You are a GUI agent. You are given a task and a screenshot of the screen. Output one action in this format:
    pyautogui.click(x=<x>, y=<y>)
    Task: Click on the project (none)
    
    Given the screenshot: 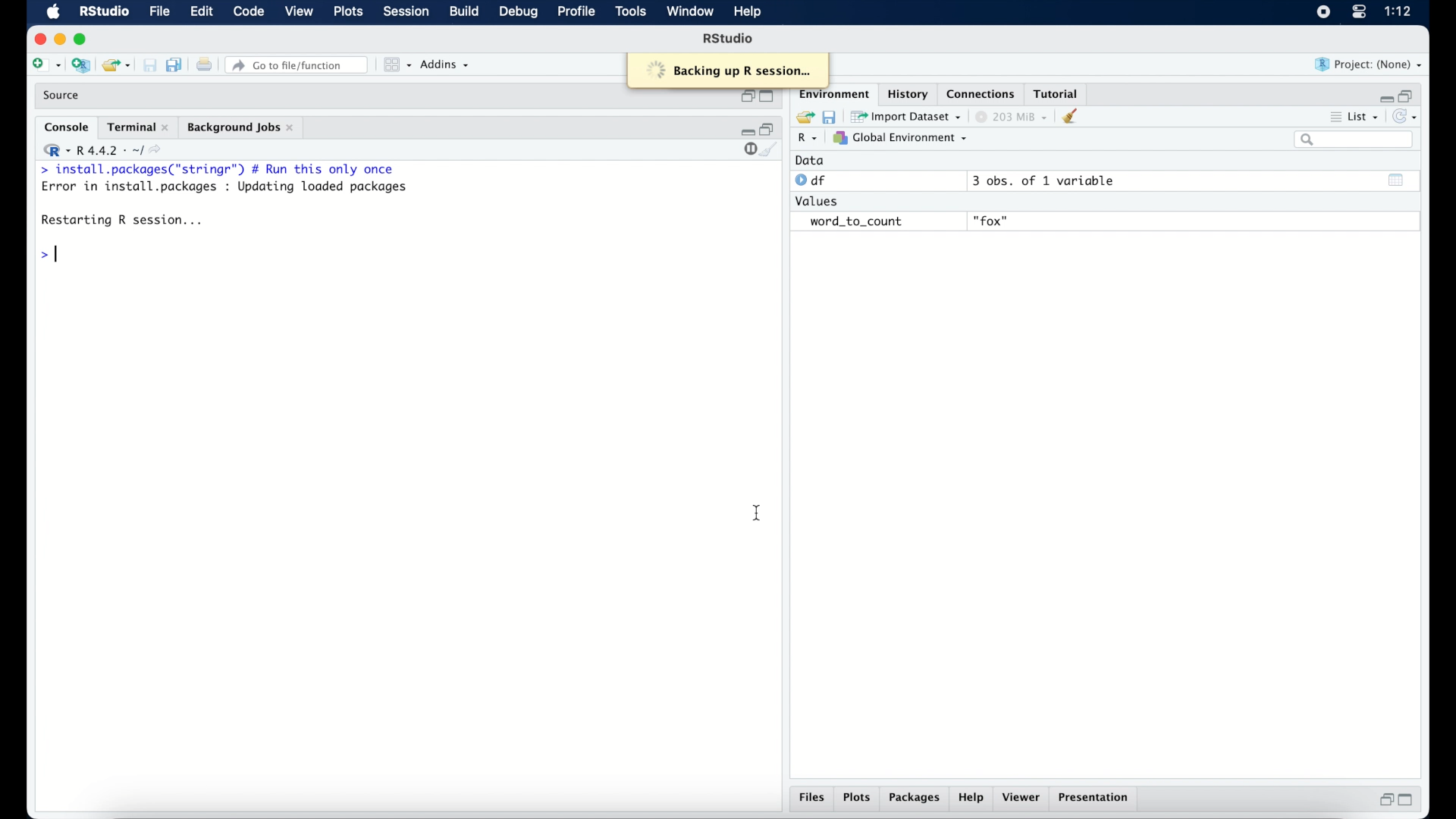 What is the action you would take?
    pyautogui.click(x=1369, y=64)
    